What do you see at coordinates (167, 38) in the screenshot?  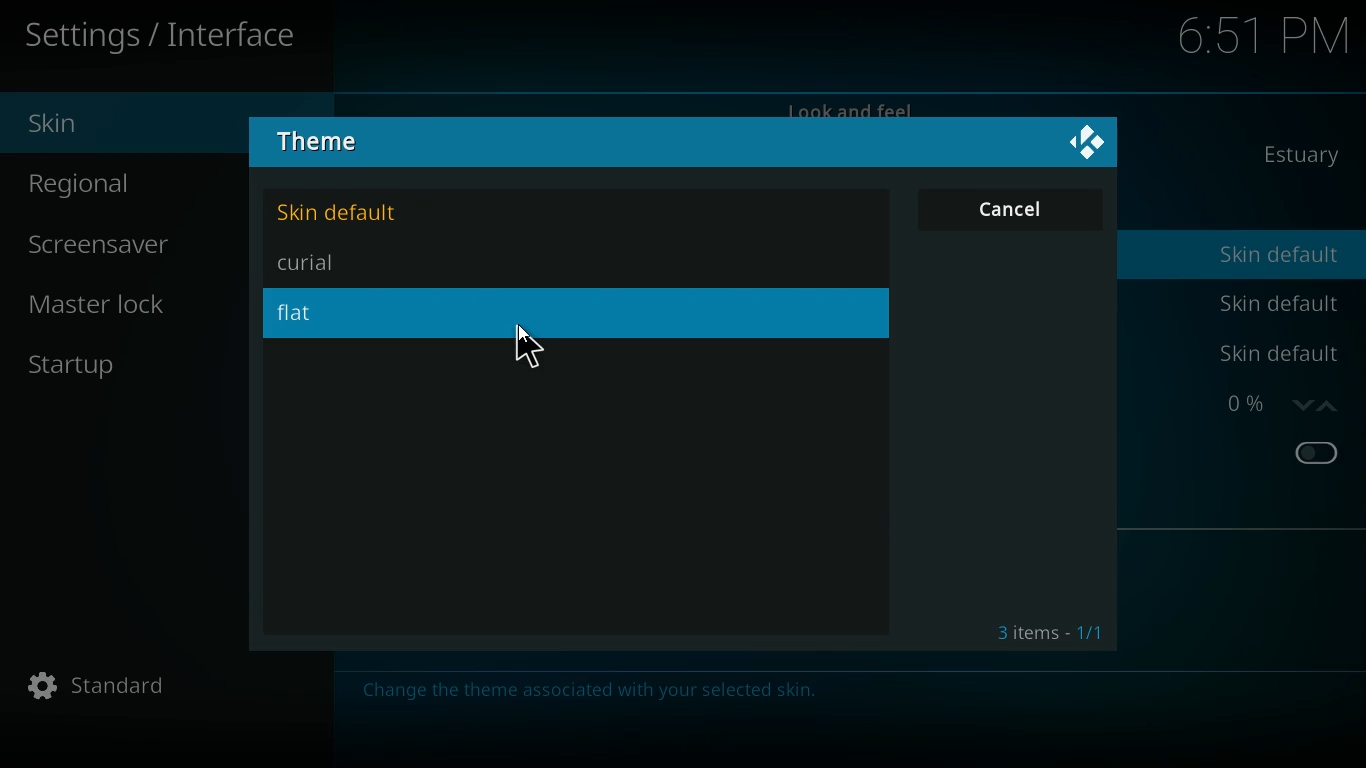 I see `Settings / Interface` at bounding box center [167, 38].